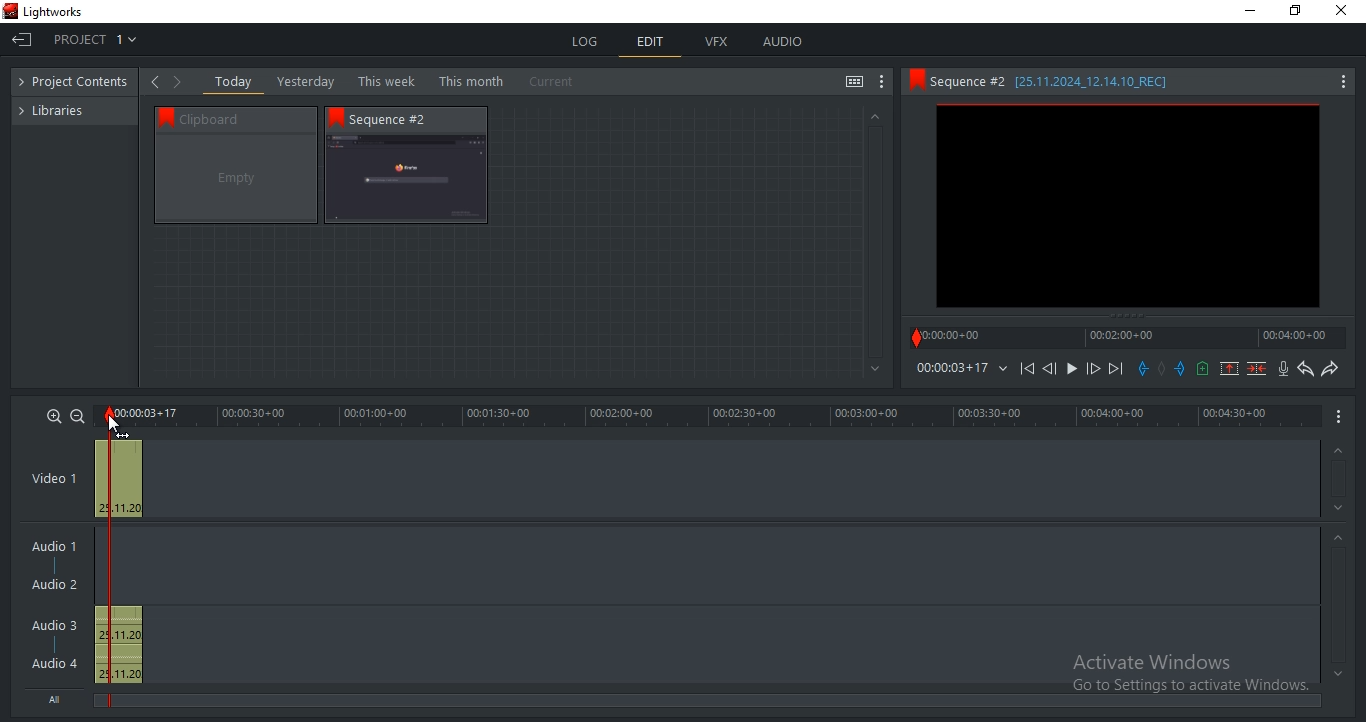 Image resolution: width=1366 pixels, height=722 pixels. I want to click on Exit project, so click(25, 42).